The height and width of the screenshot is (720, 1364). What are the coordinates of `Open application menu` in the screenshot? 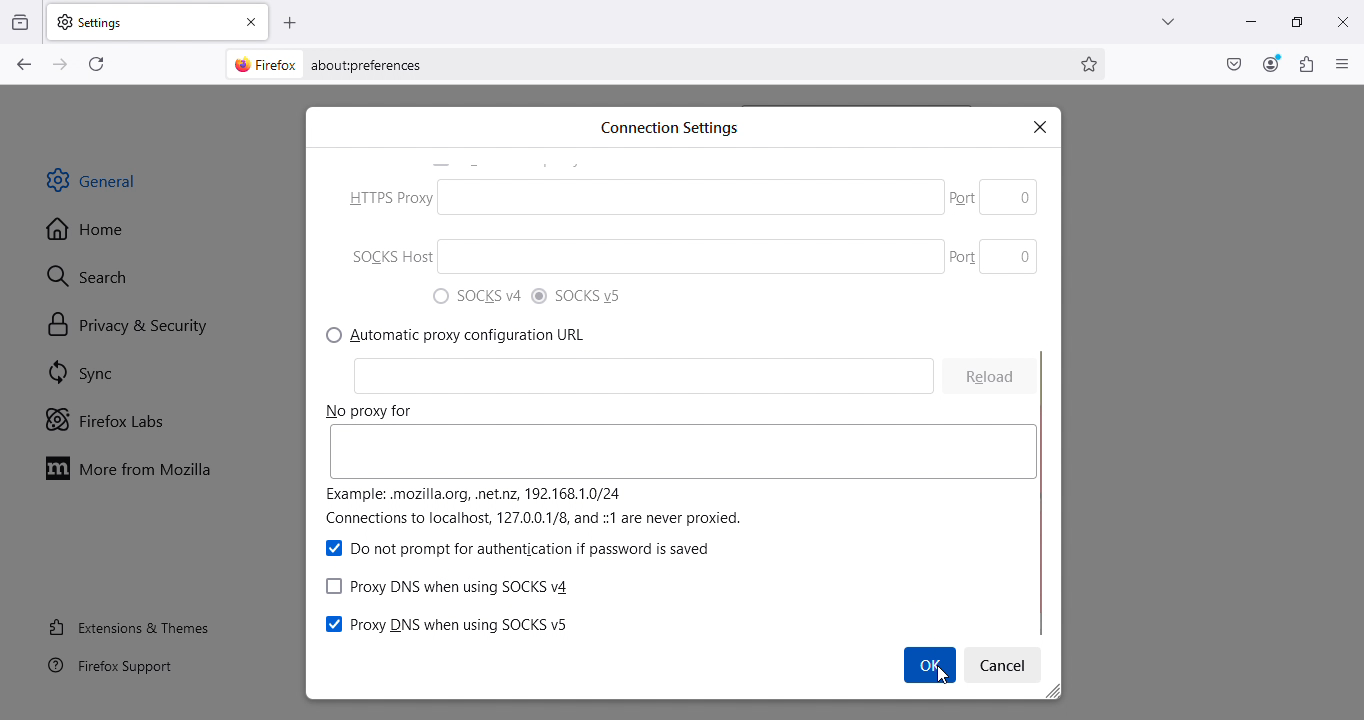 It's located at (1343, 63).